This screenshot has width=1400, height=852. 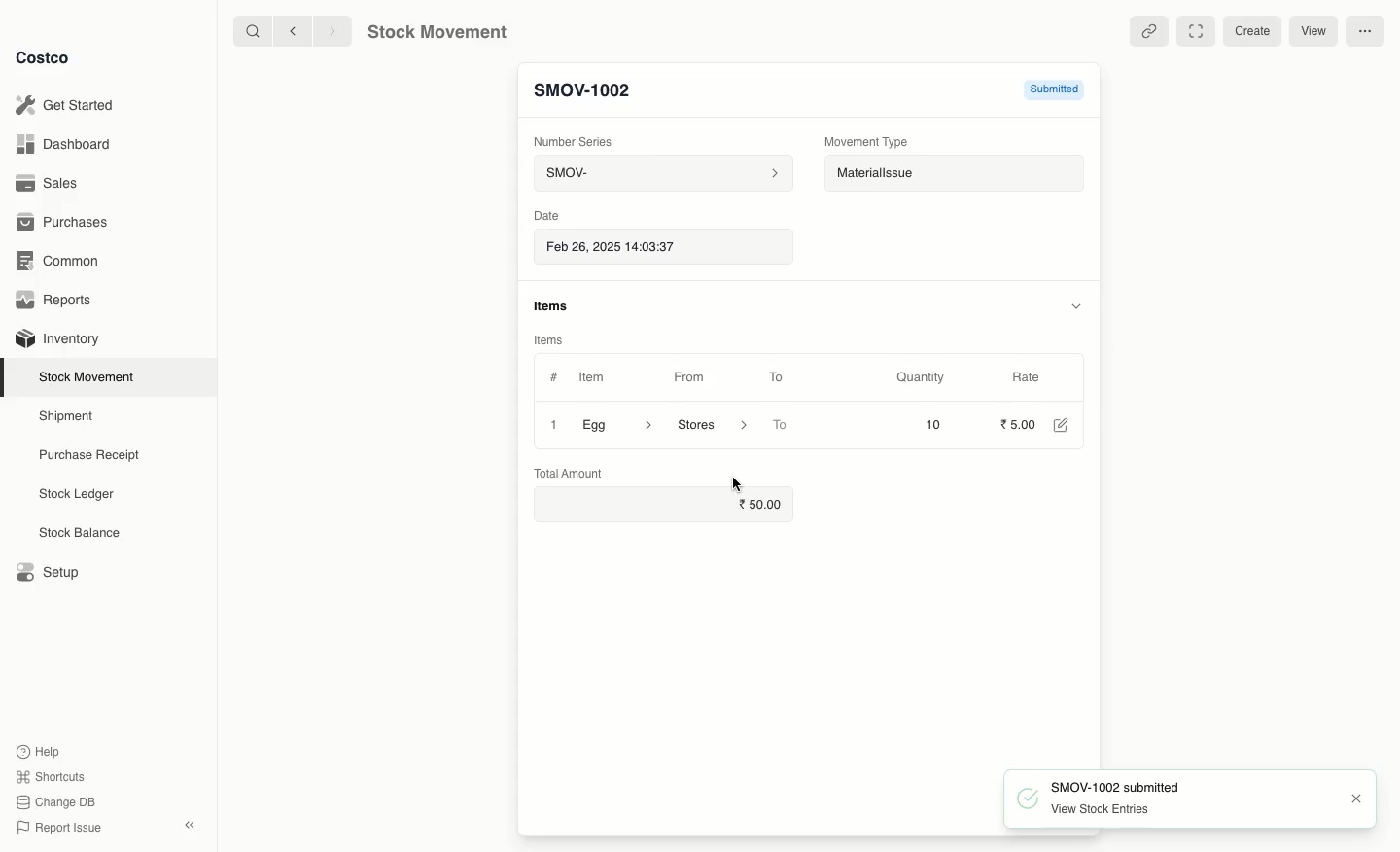 What do you see at coordinates (60, 339) in the screenshot?
I see `Inventory` at bounding box center [60, 339].